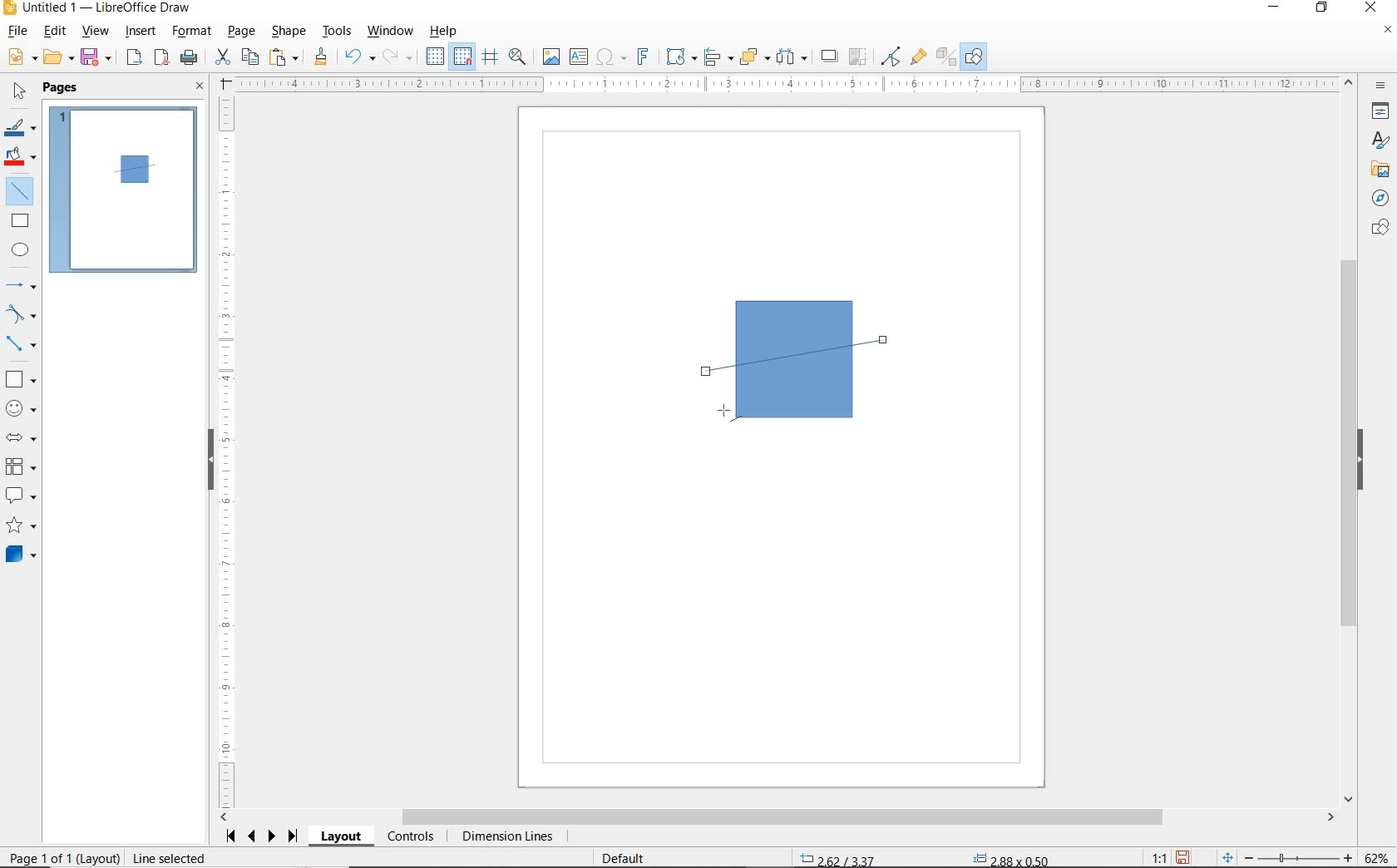 The width and height of the screenshot is (1397, 868). I want to click on FLOWCHART, so click(24, 466).